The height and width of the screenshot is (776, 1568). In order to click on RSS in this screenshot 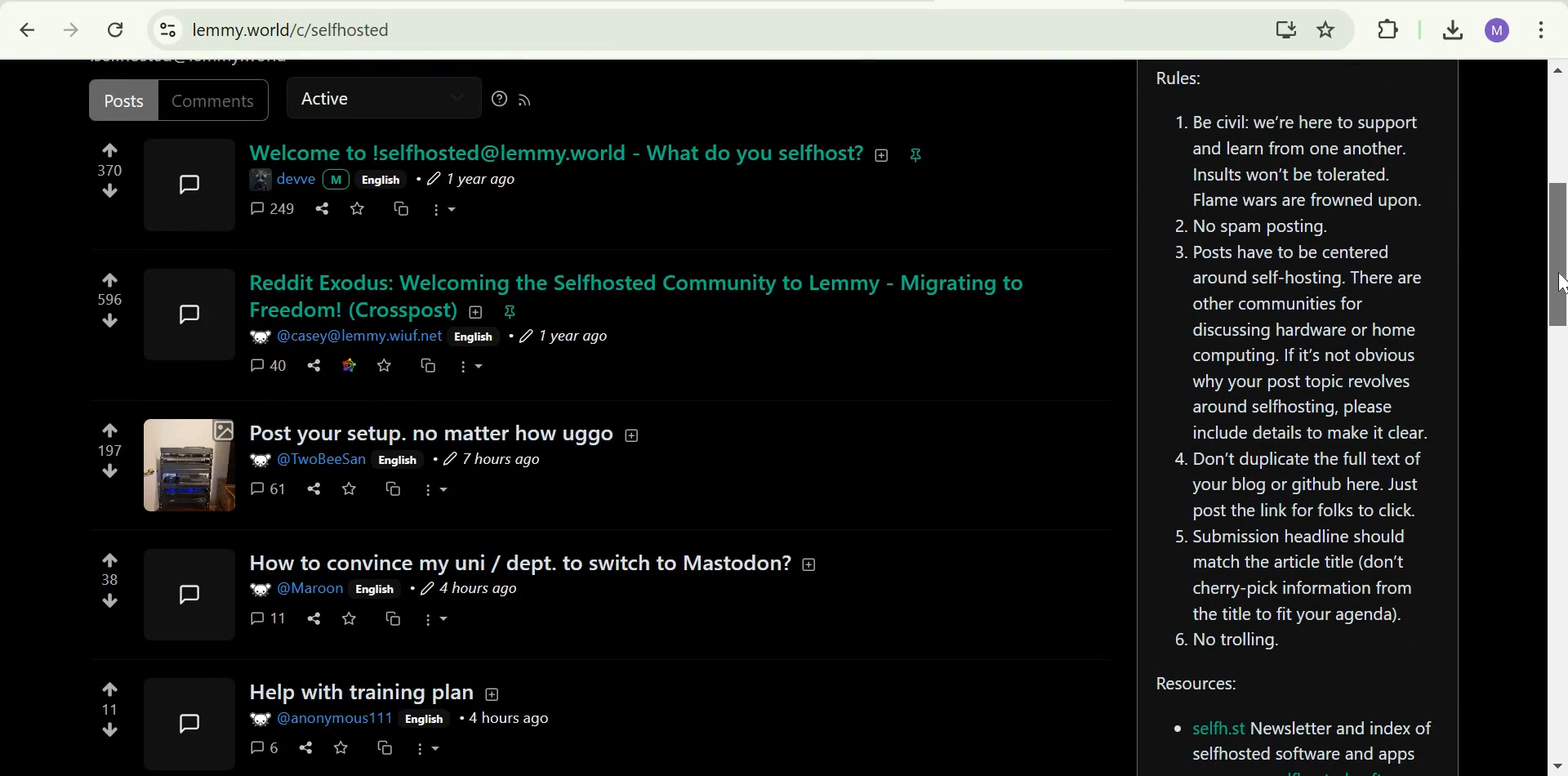, I will do `click(532, 100)`.